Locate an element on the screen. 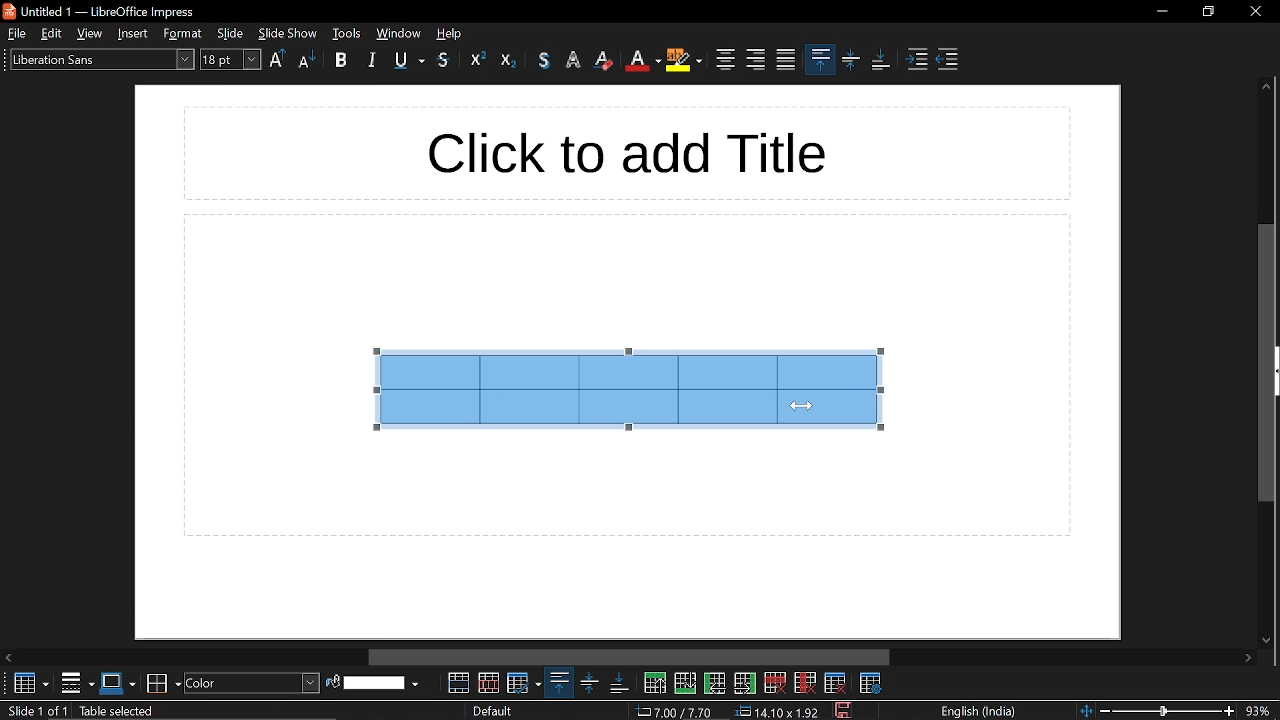 This screenshot has height=720, width=1280. expand sidebar is located at coordinates (1275, 370).